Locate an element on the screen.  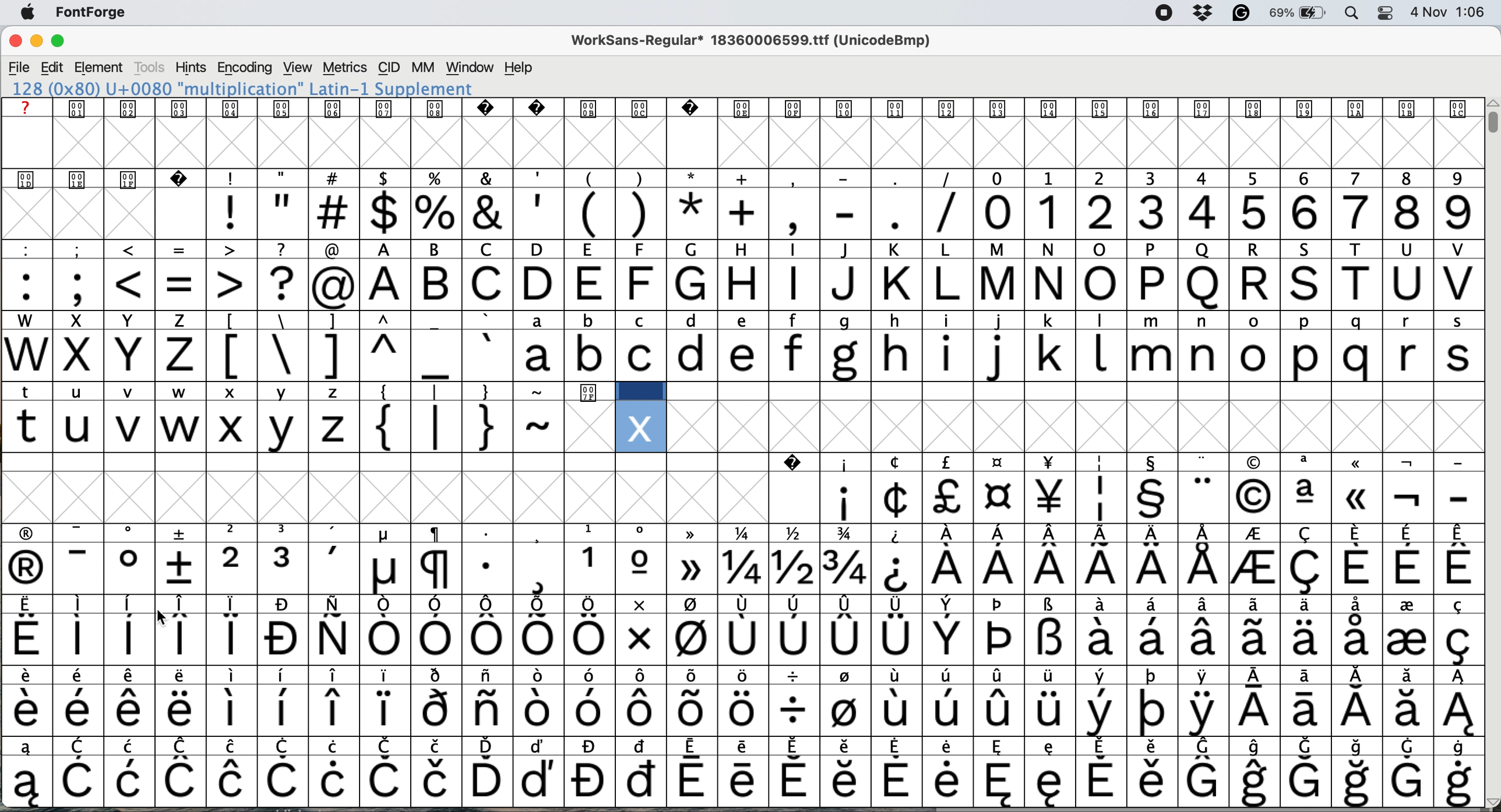
control center is located at coordinates (1383, 12).